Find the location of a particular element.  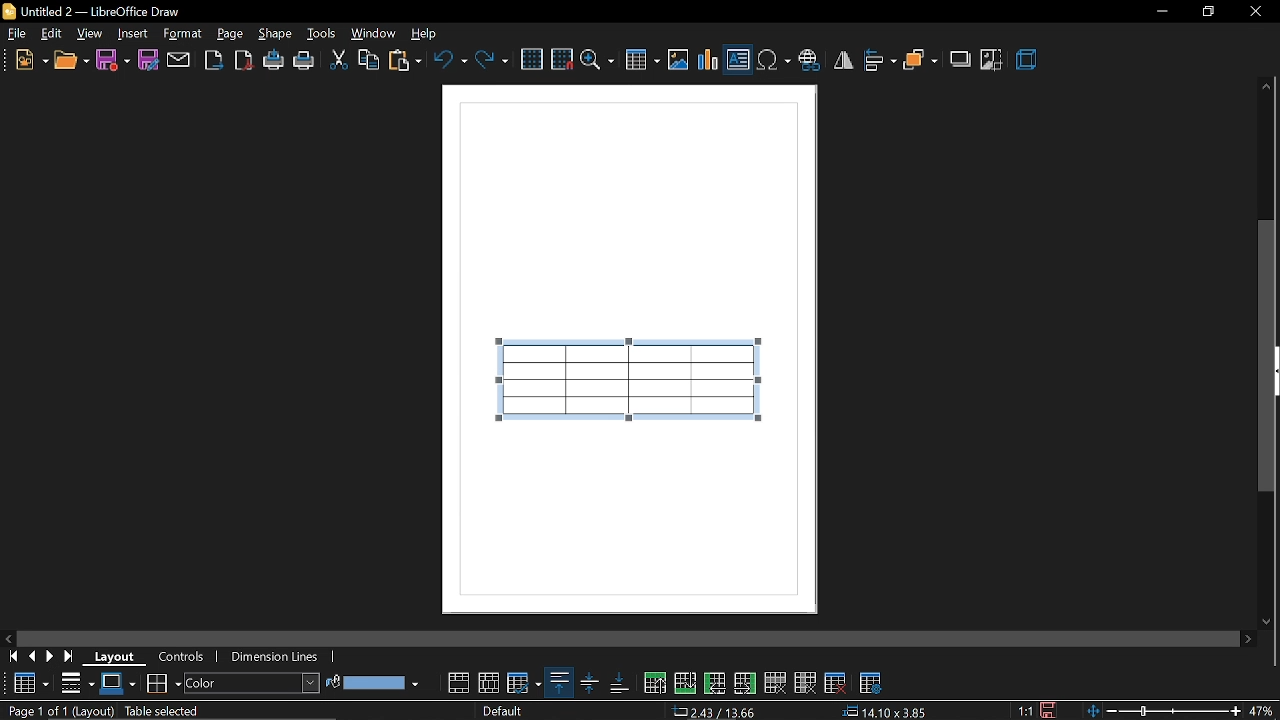

redo is located at coordinates (493, 62).